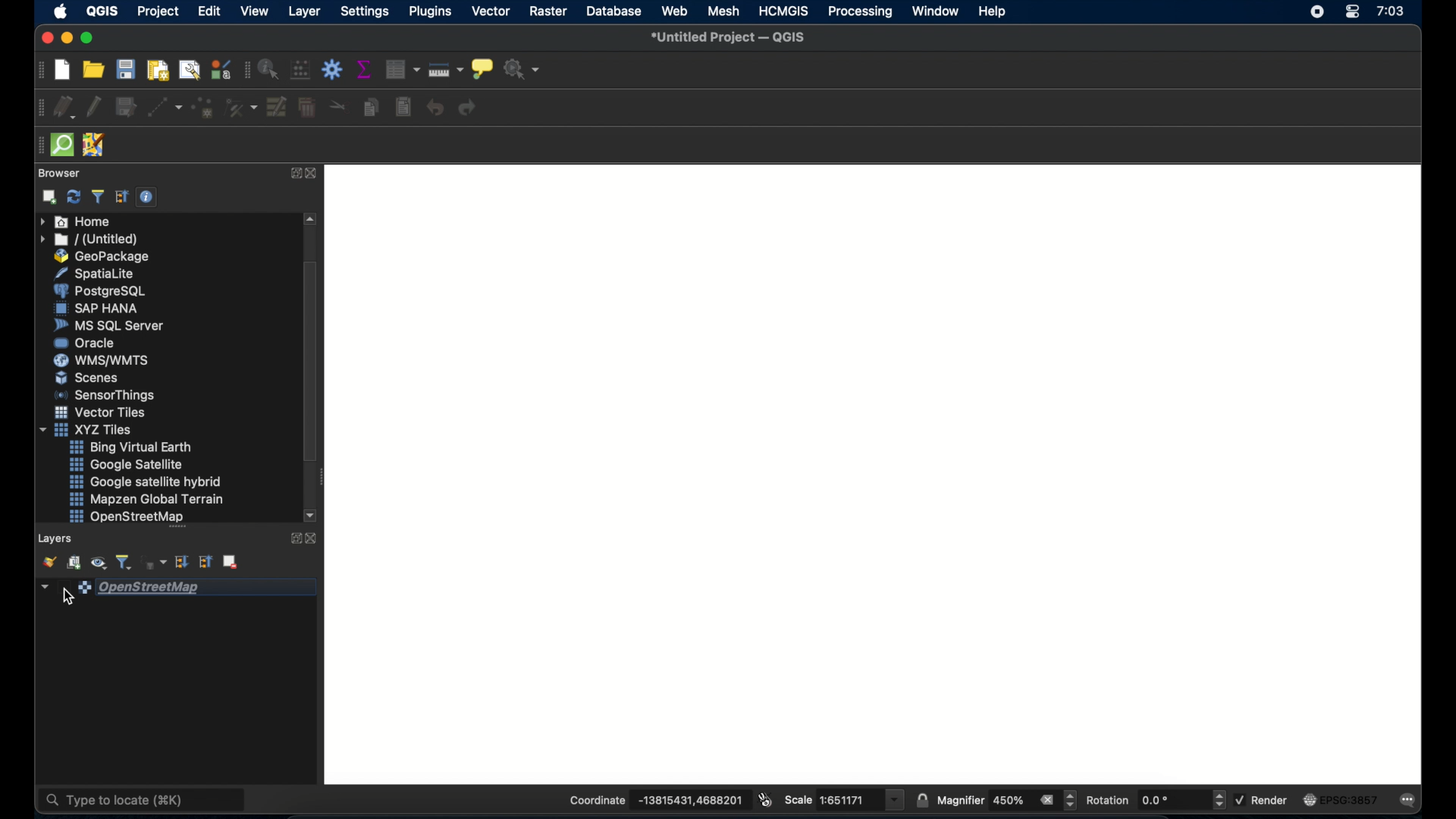  Describe the element at coordinates (993, 13) in the screenshot. I see `help` at that location.